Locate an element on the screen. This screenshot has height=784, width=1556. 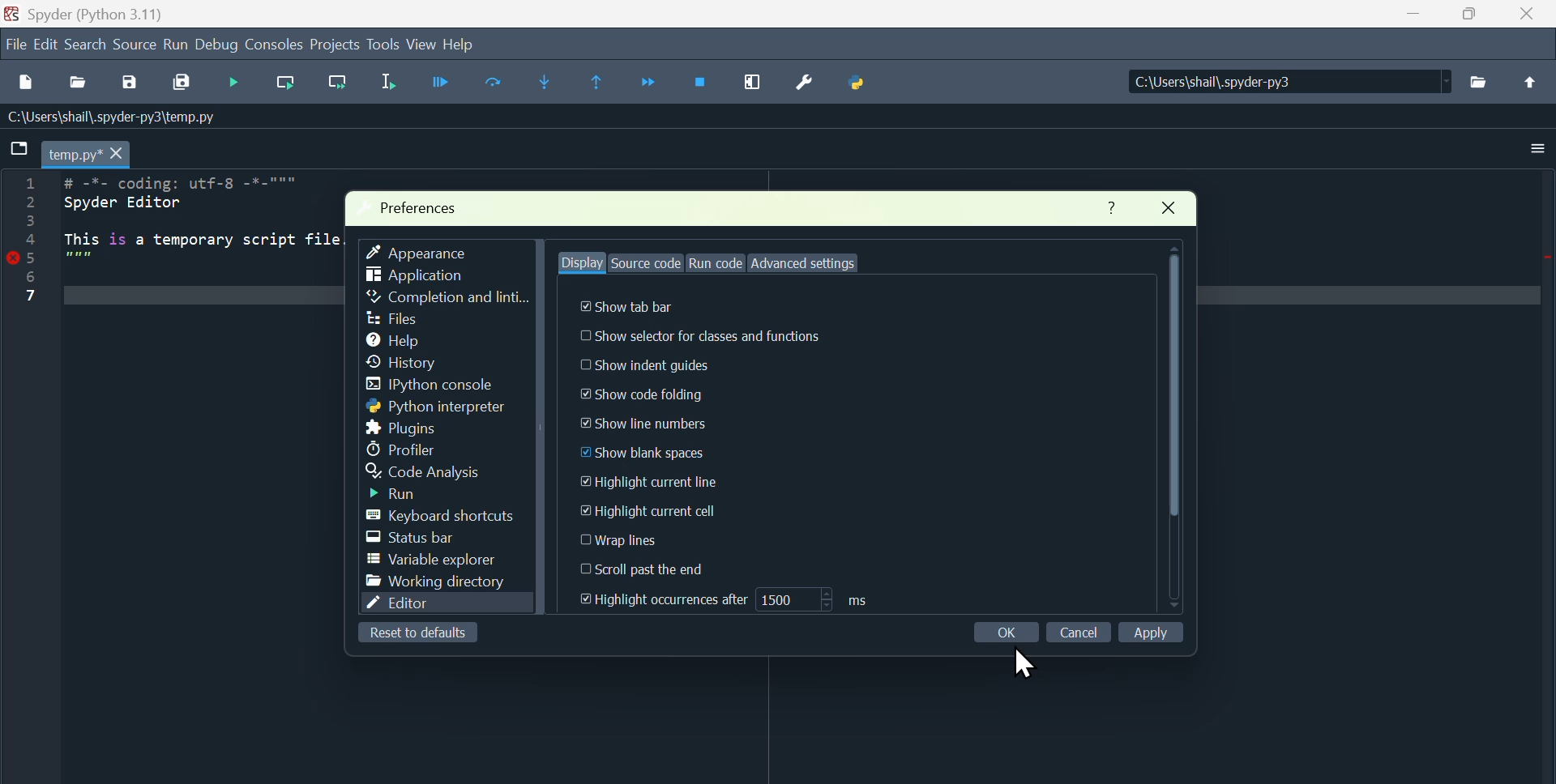
Appearance is located at coordinates (413, 251).